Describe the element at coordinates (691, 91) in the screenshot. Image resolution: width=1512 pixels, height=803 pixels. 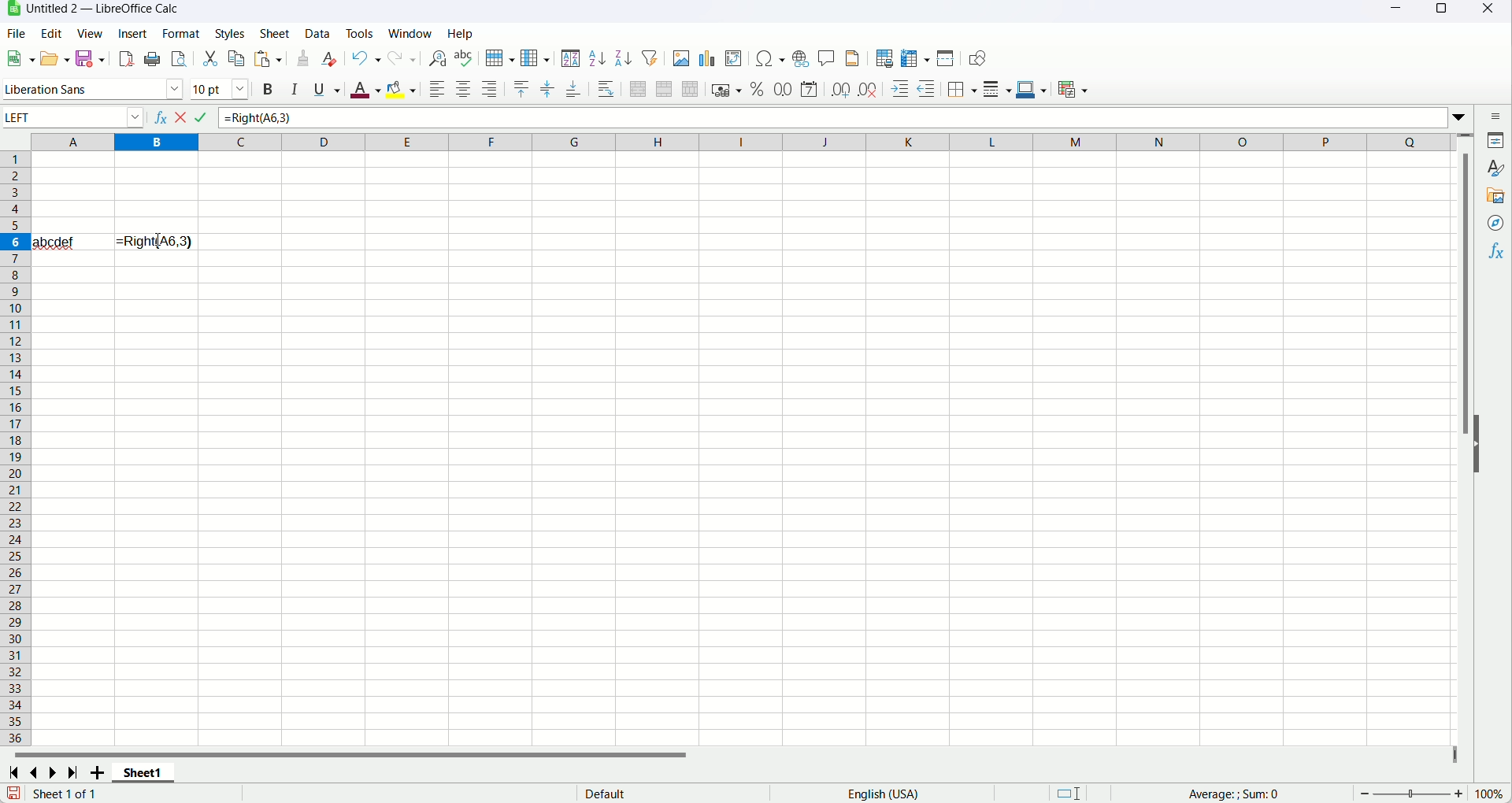
I see `unmerge cells` at that location.